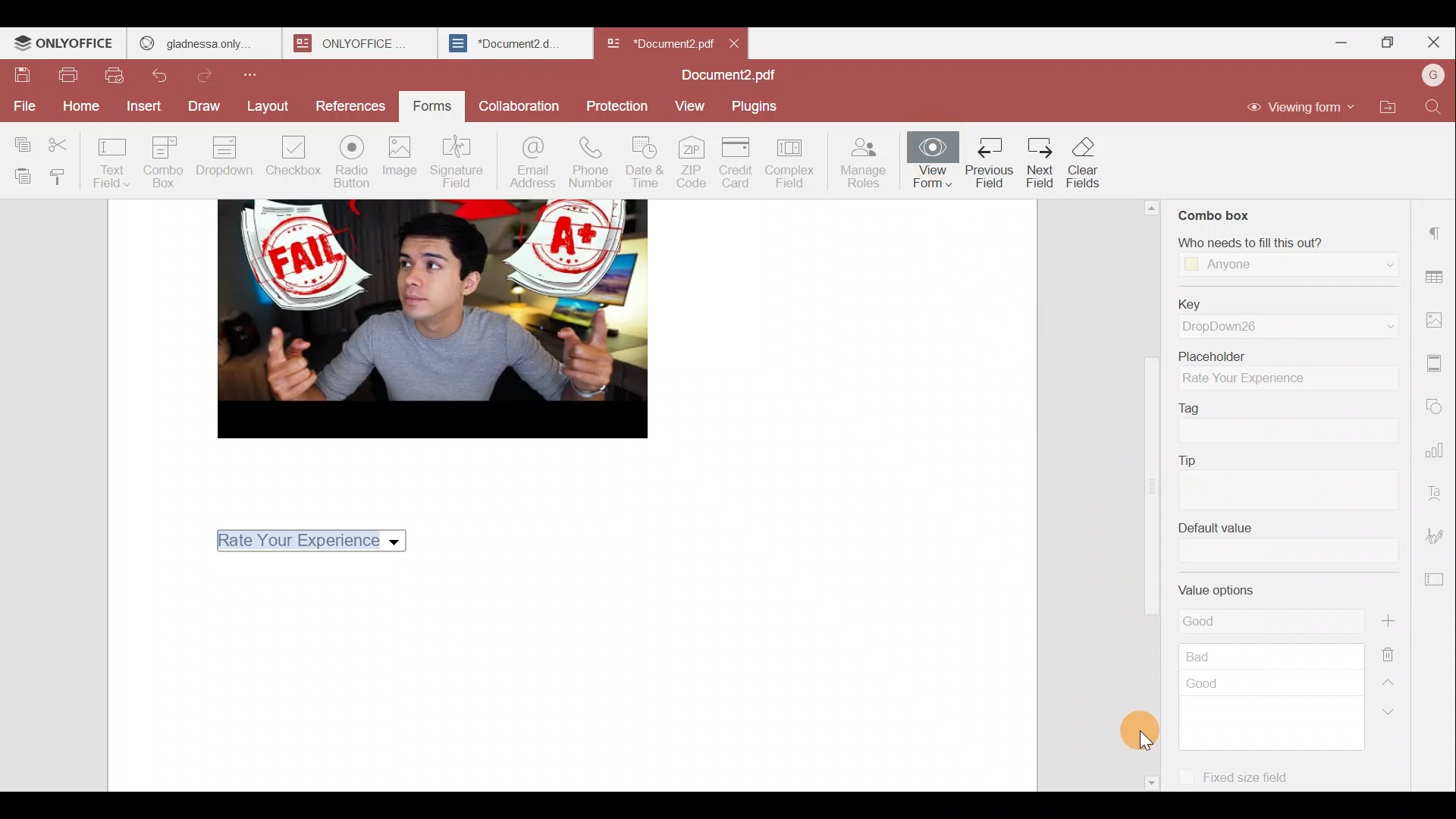 Image resolution: width=1456 pixels, height=819 pixels. What do you see at coordinates (1286, 369) in the screenshot?
I see `Placeholder` at bounding box center [1286, 369].